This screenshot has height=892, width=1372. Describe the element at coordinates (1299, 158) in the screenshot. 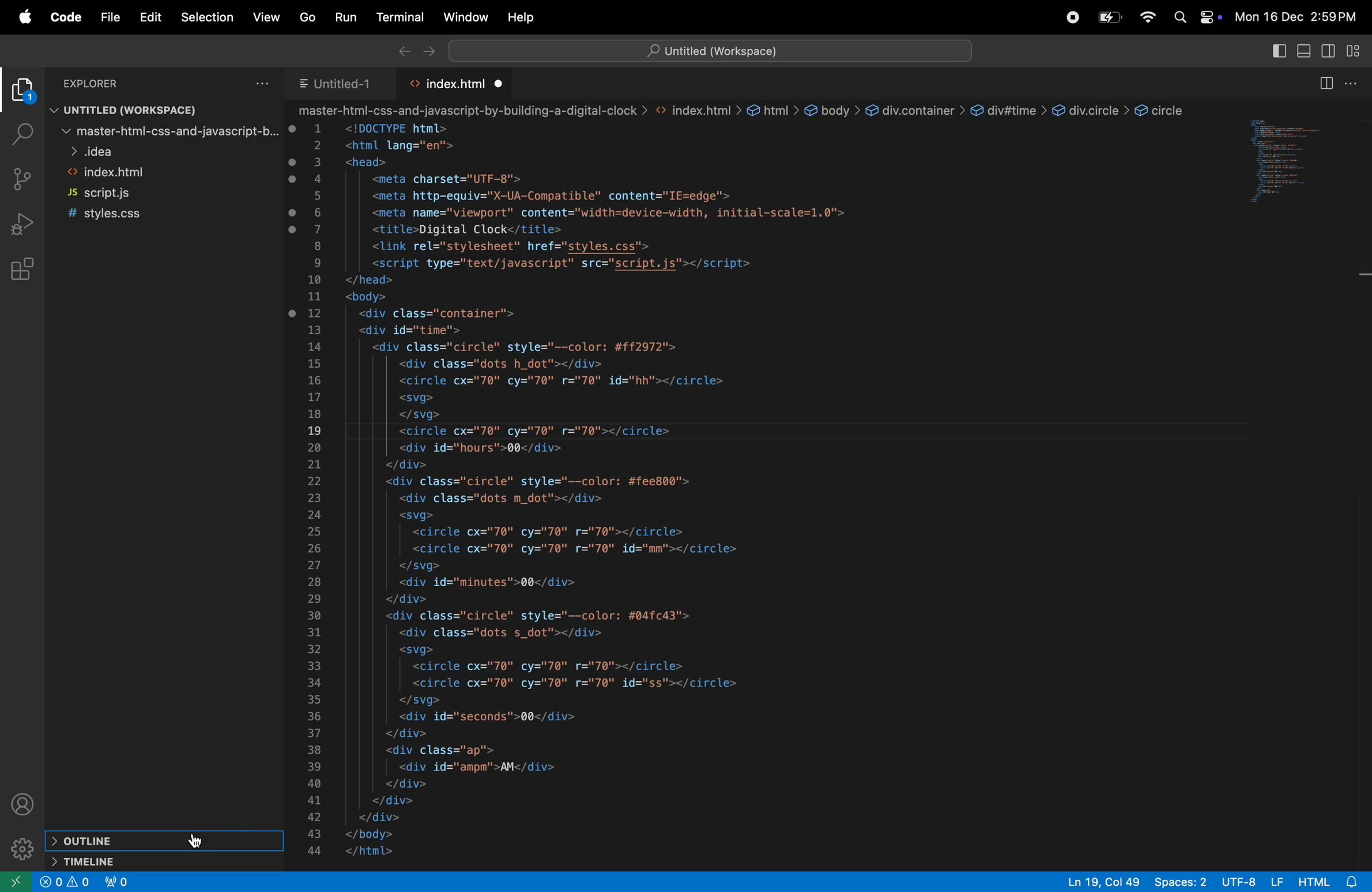

I see `code window` at that location.